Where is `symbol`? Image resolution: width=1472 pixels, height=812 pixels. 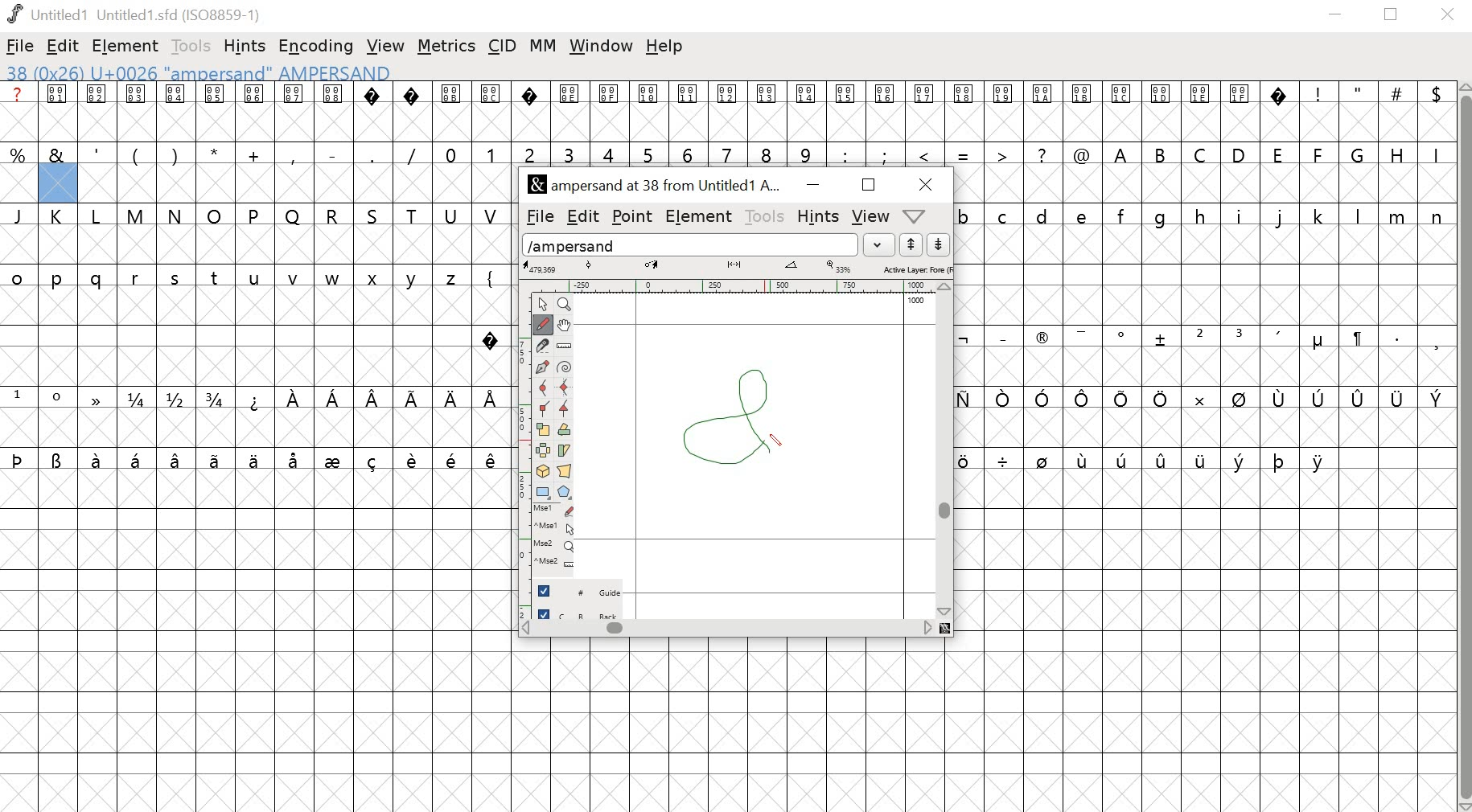
symbol is located at coordinates (1398, 398).